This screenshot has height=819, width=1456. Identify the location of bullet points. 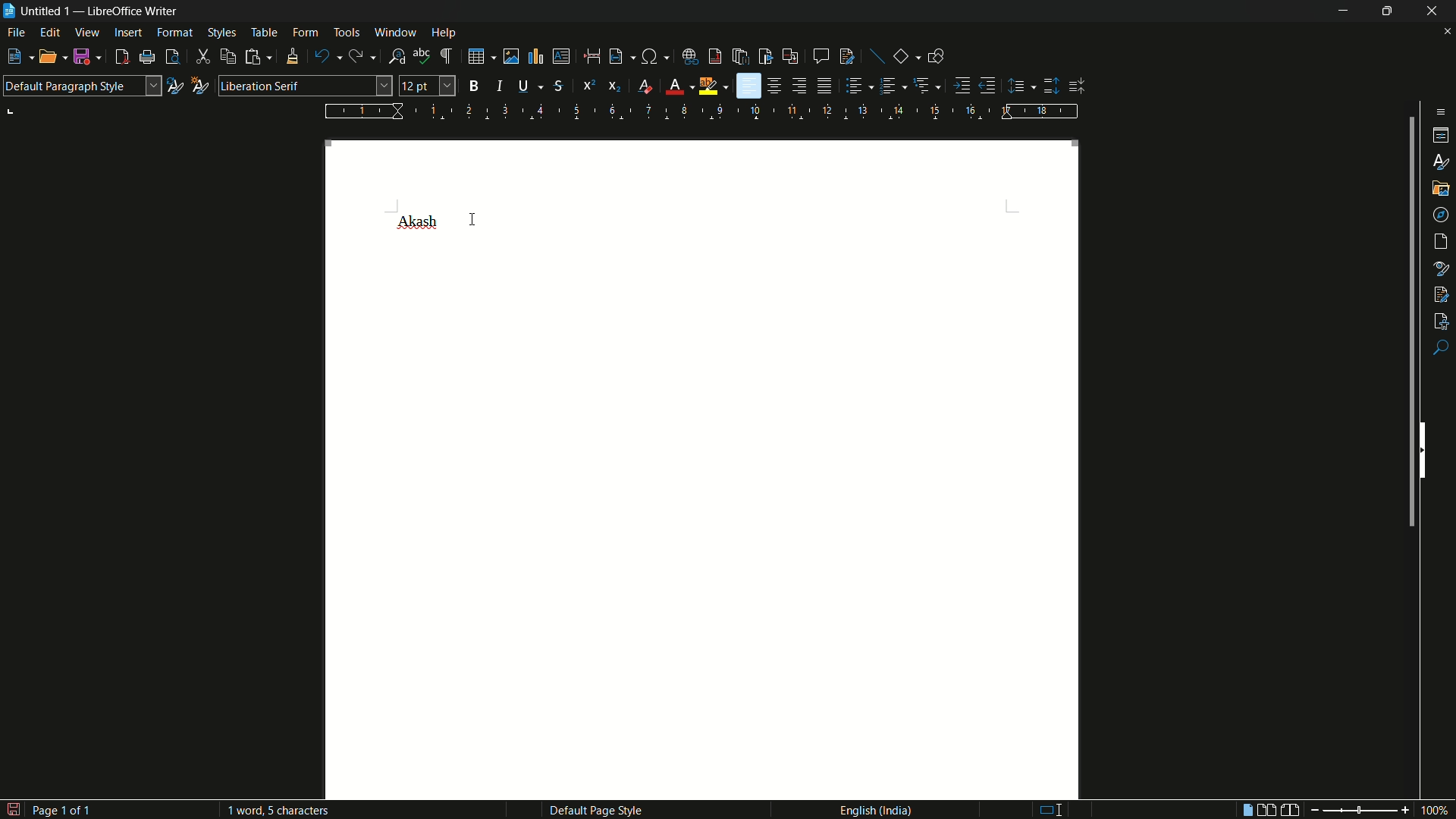
(855, 86).